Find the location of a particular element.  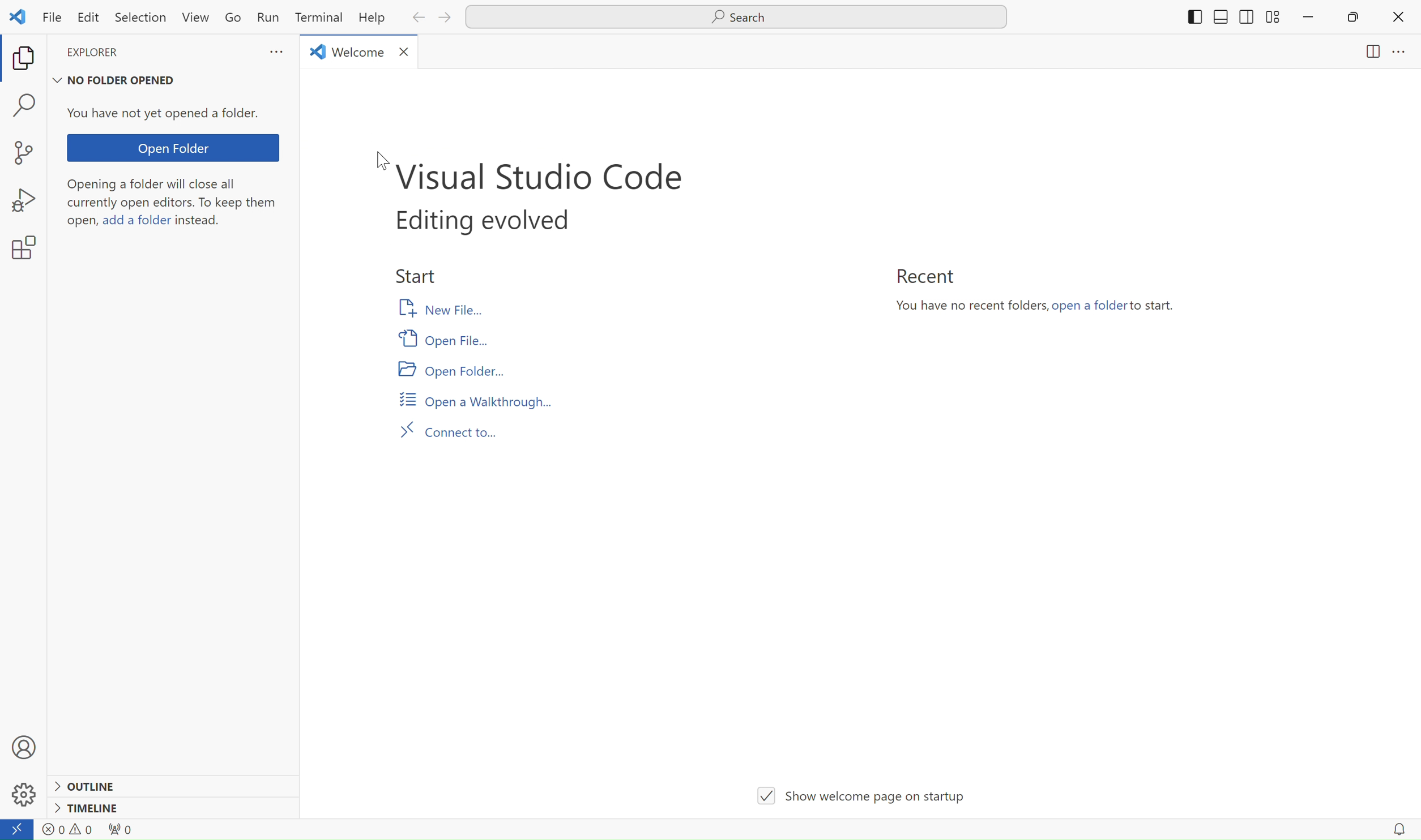

menu is located at coordinates (1406, 53).